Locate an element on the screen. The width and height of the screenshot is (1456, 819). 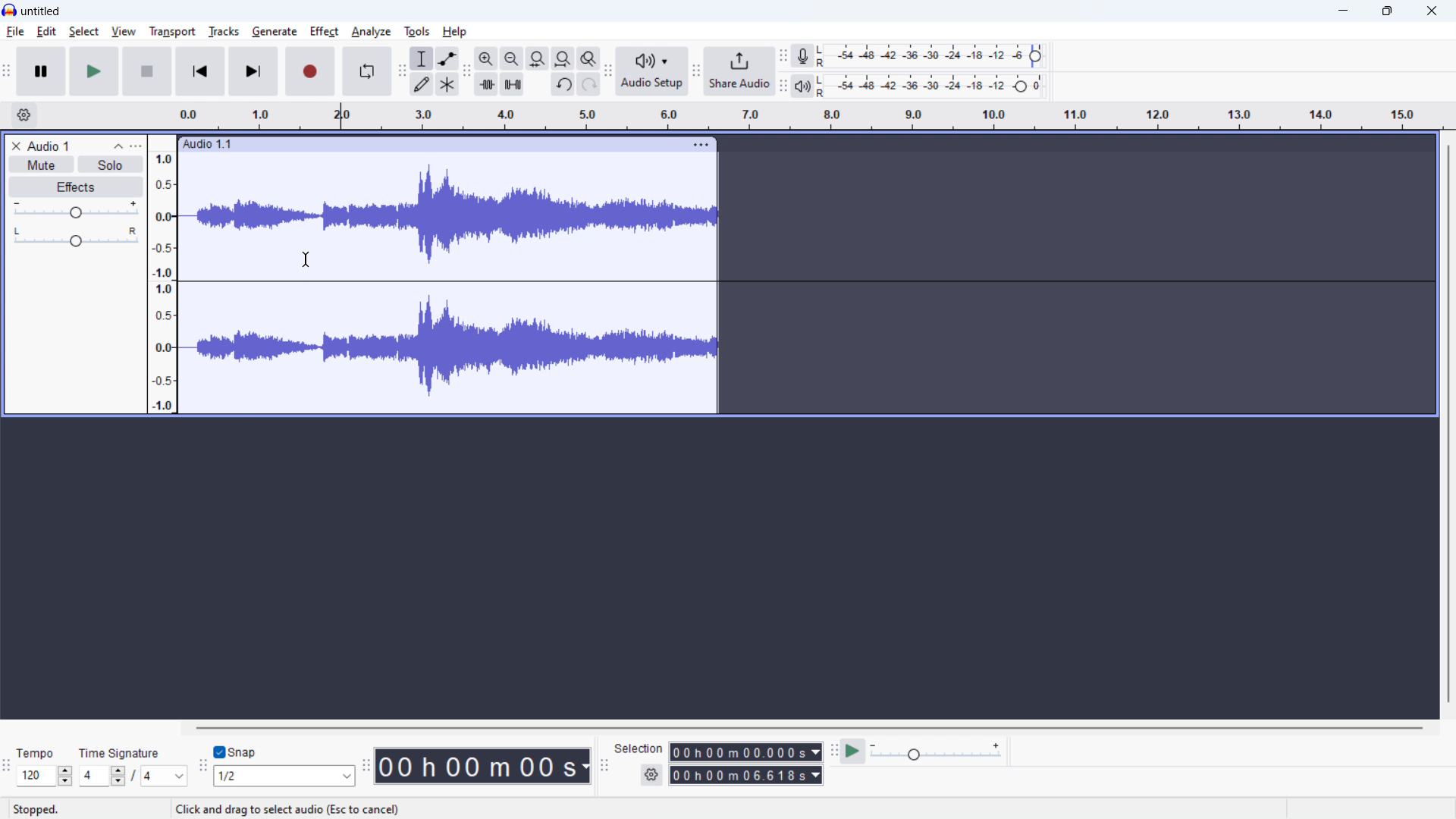
playback meter is located at coordinates (801, 86).